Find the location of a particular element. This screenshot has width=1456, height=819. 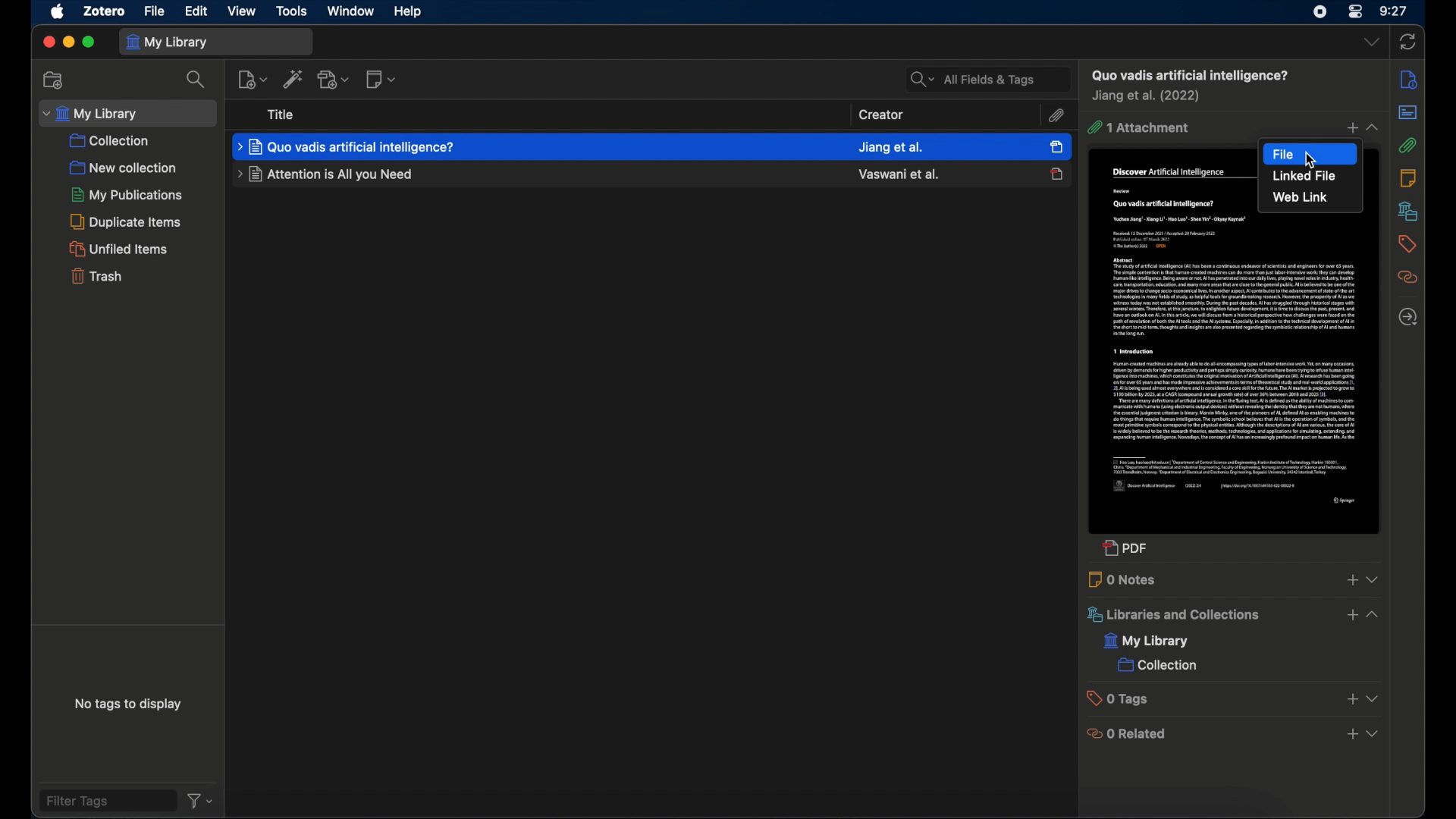

time is located at coordinates (1394, 11).